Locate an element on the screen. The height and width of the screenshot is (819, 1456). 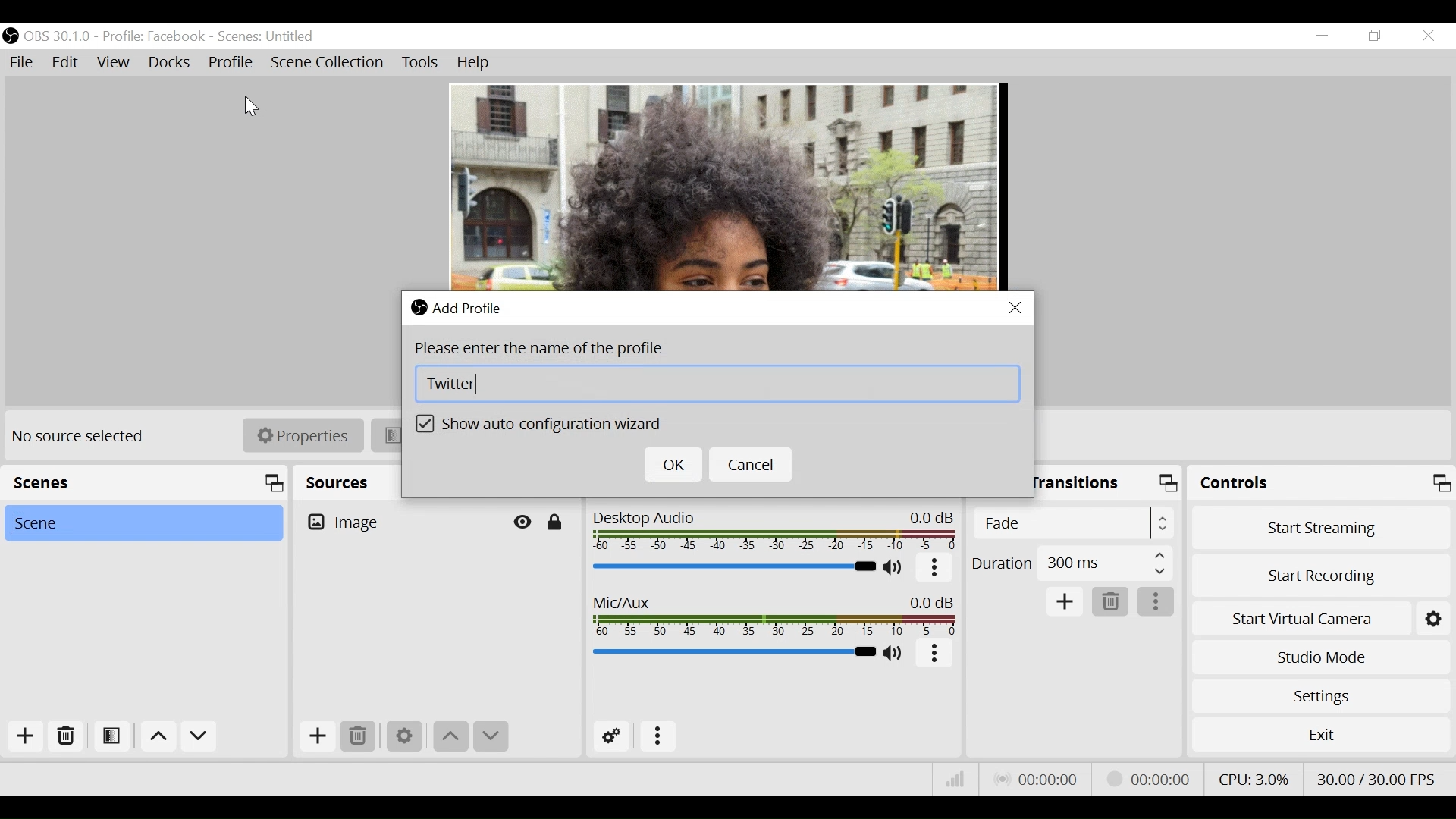
Frame Per Second is located at coordinates (1376, 777).